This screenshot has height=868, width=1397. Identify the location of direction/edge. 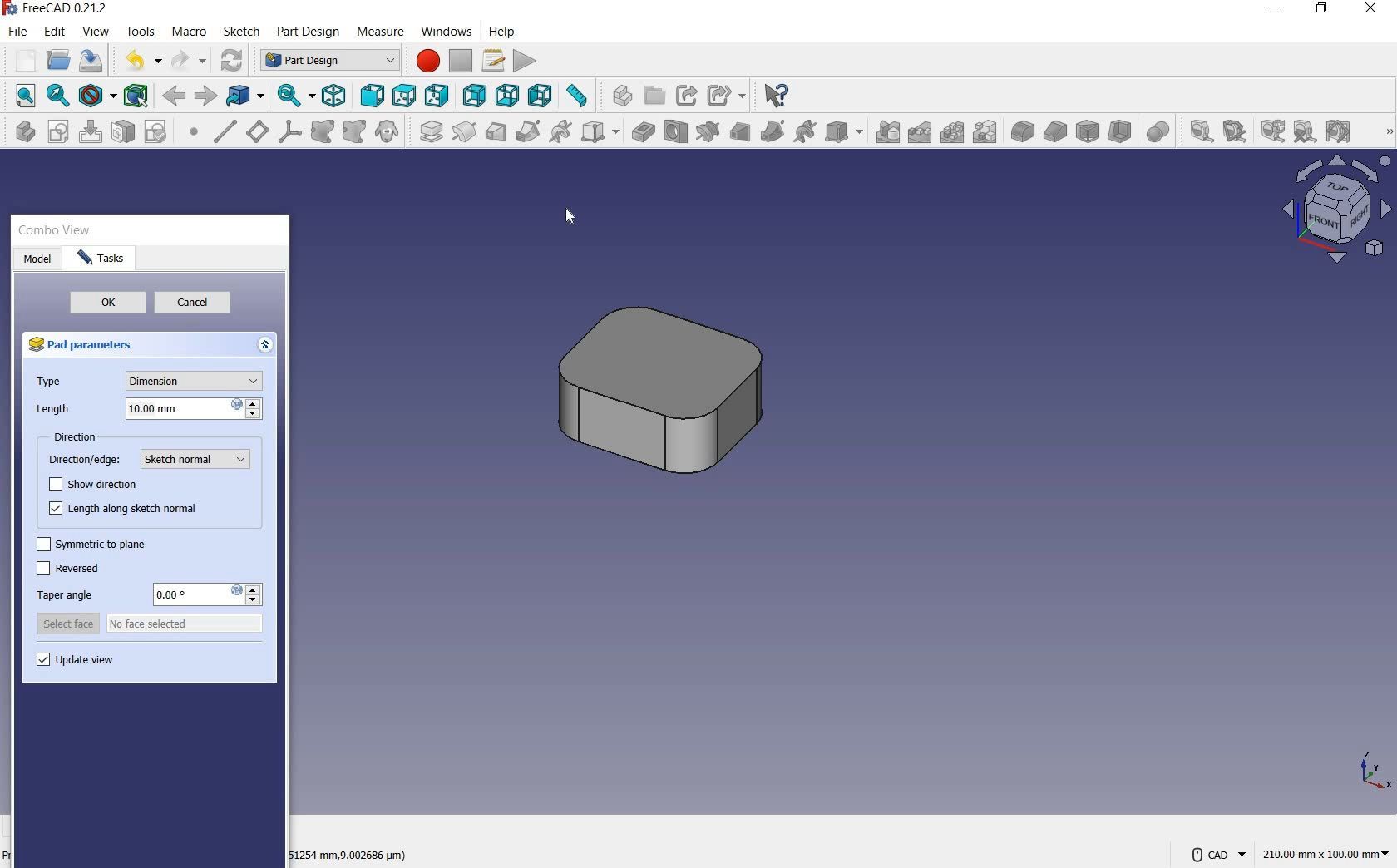
(154, 460).